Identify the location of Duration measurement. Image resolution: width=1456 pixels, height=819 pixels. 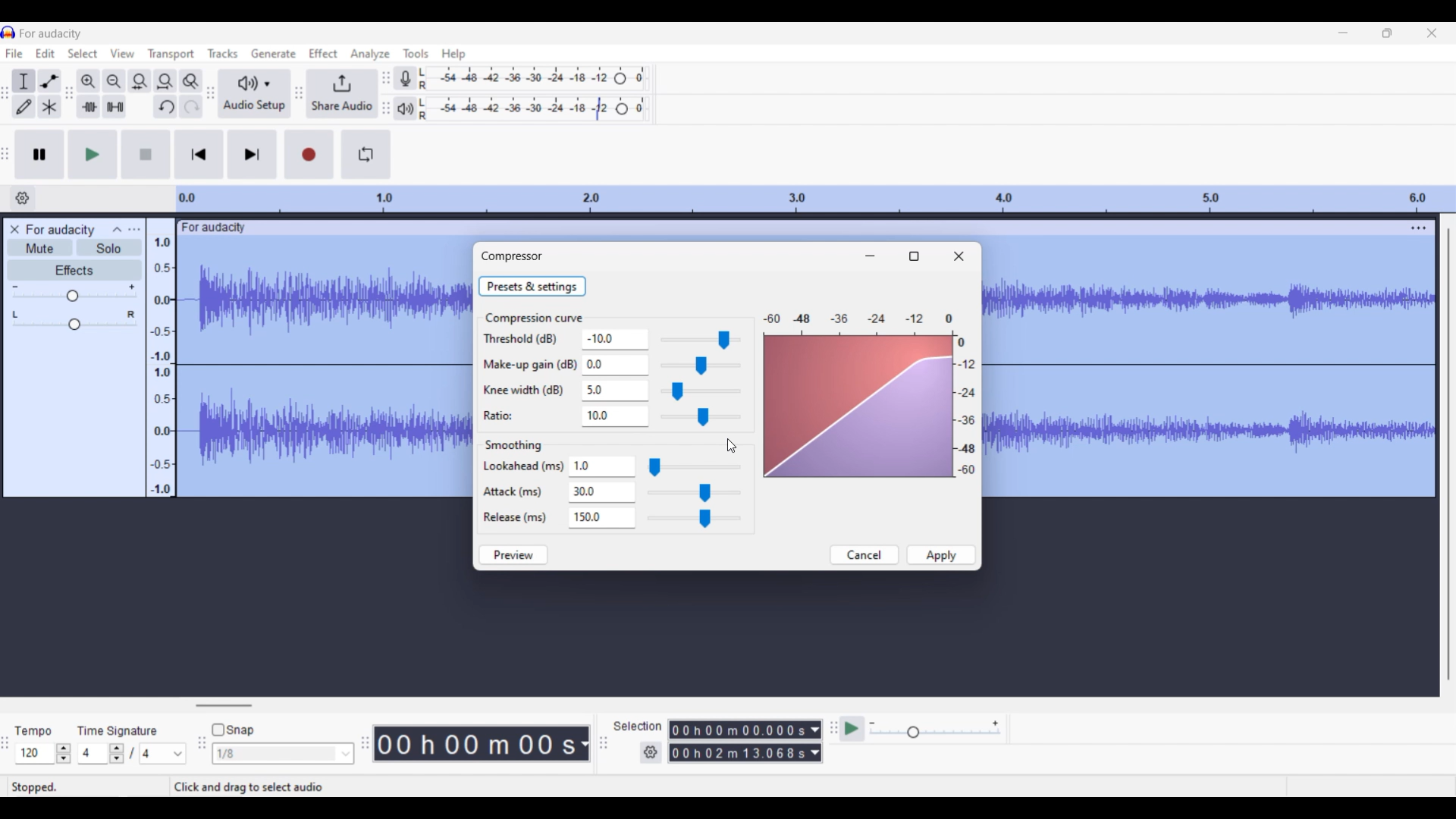
(815, 741).